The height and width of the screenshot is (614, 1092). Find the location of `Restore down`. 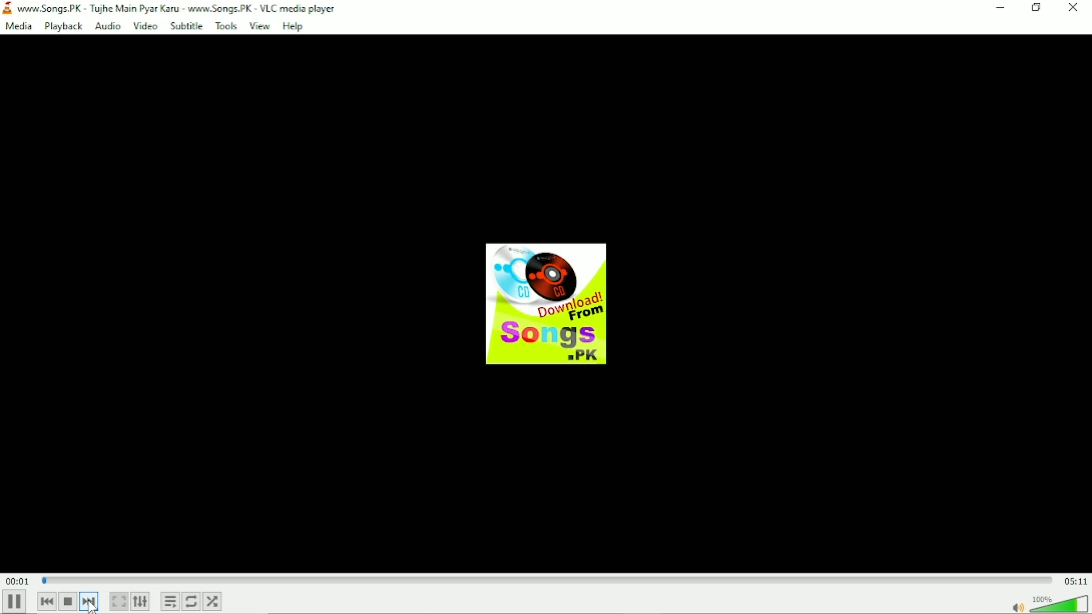

Restore down is located at coordinates (1036, 7).